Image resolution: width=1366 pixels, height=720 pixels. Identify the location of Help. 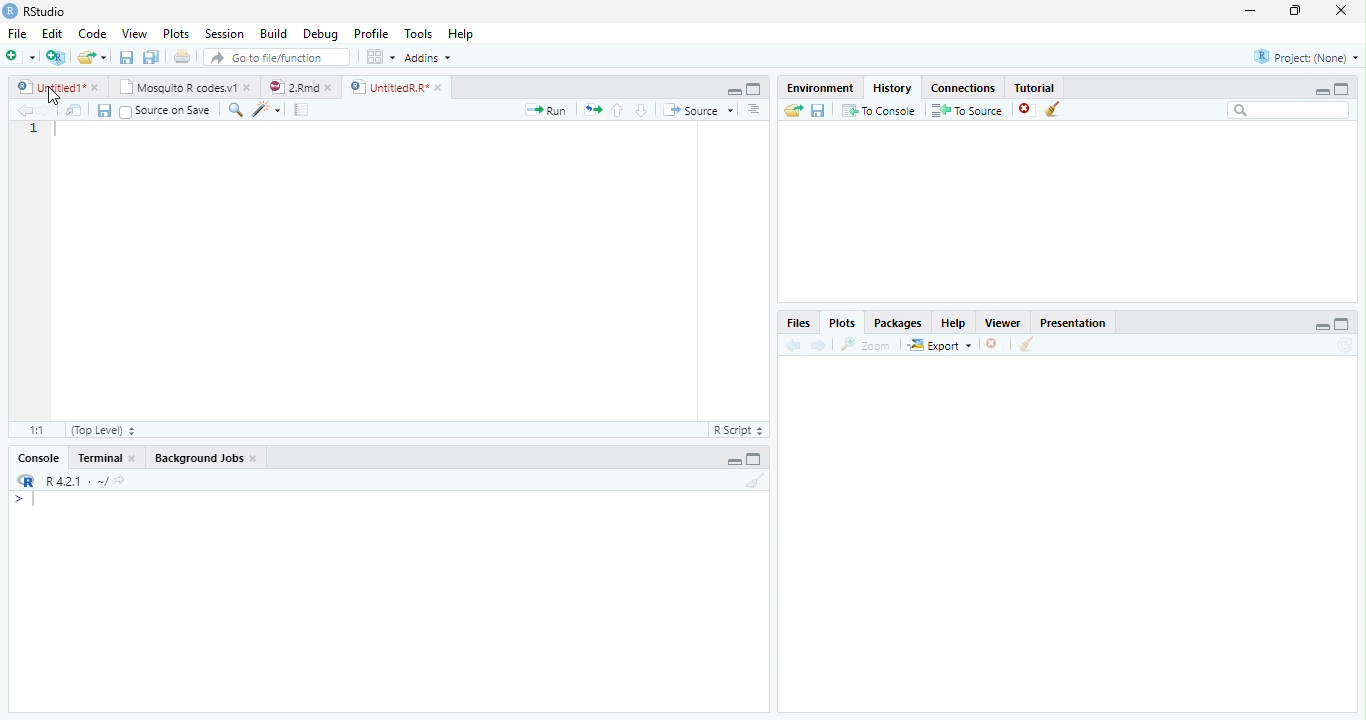
(462, 35).